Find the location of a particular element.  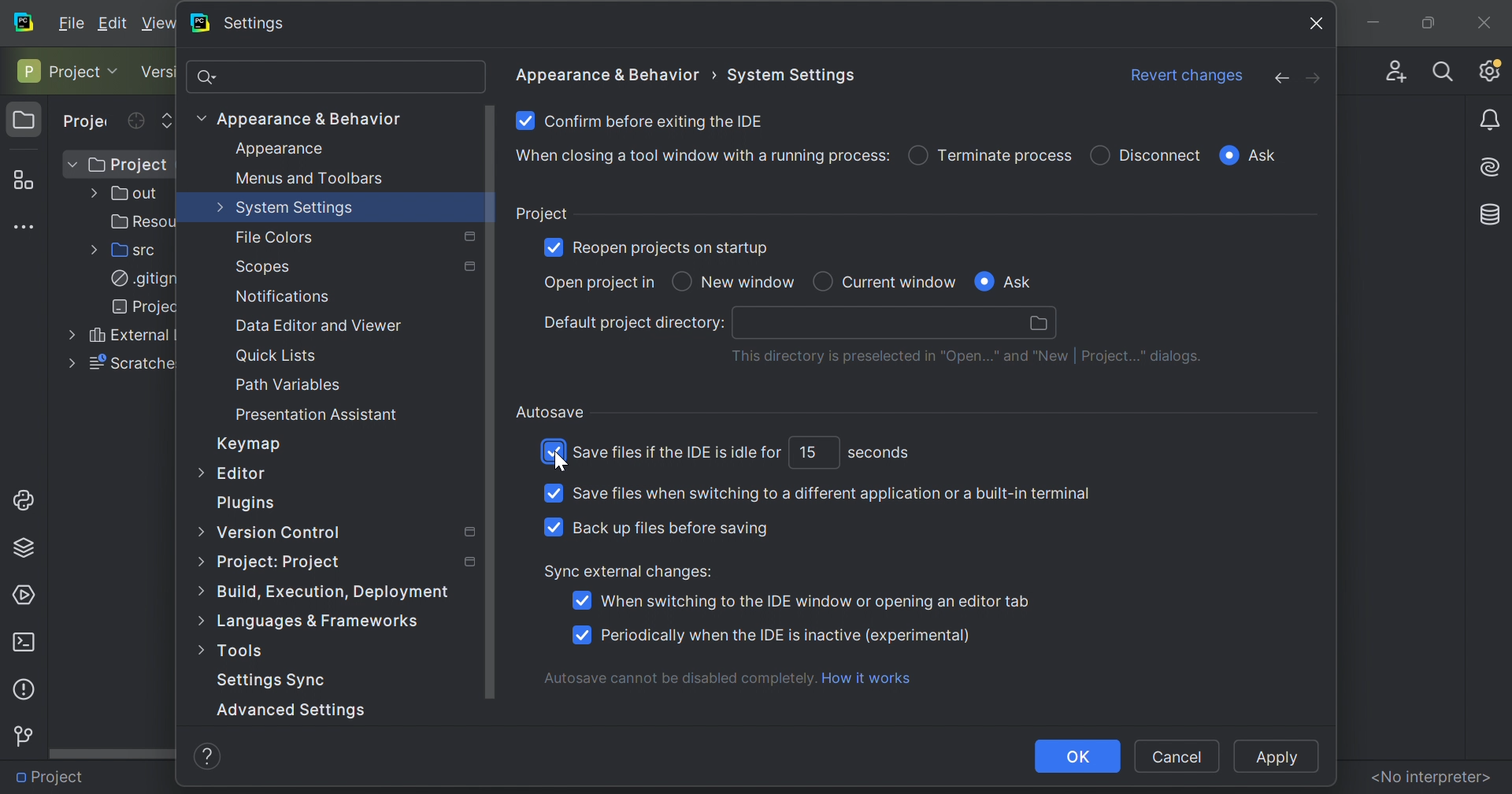

Confirm before existing the IDE is located at coordinates (656, 120).